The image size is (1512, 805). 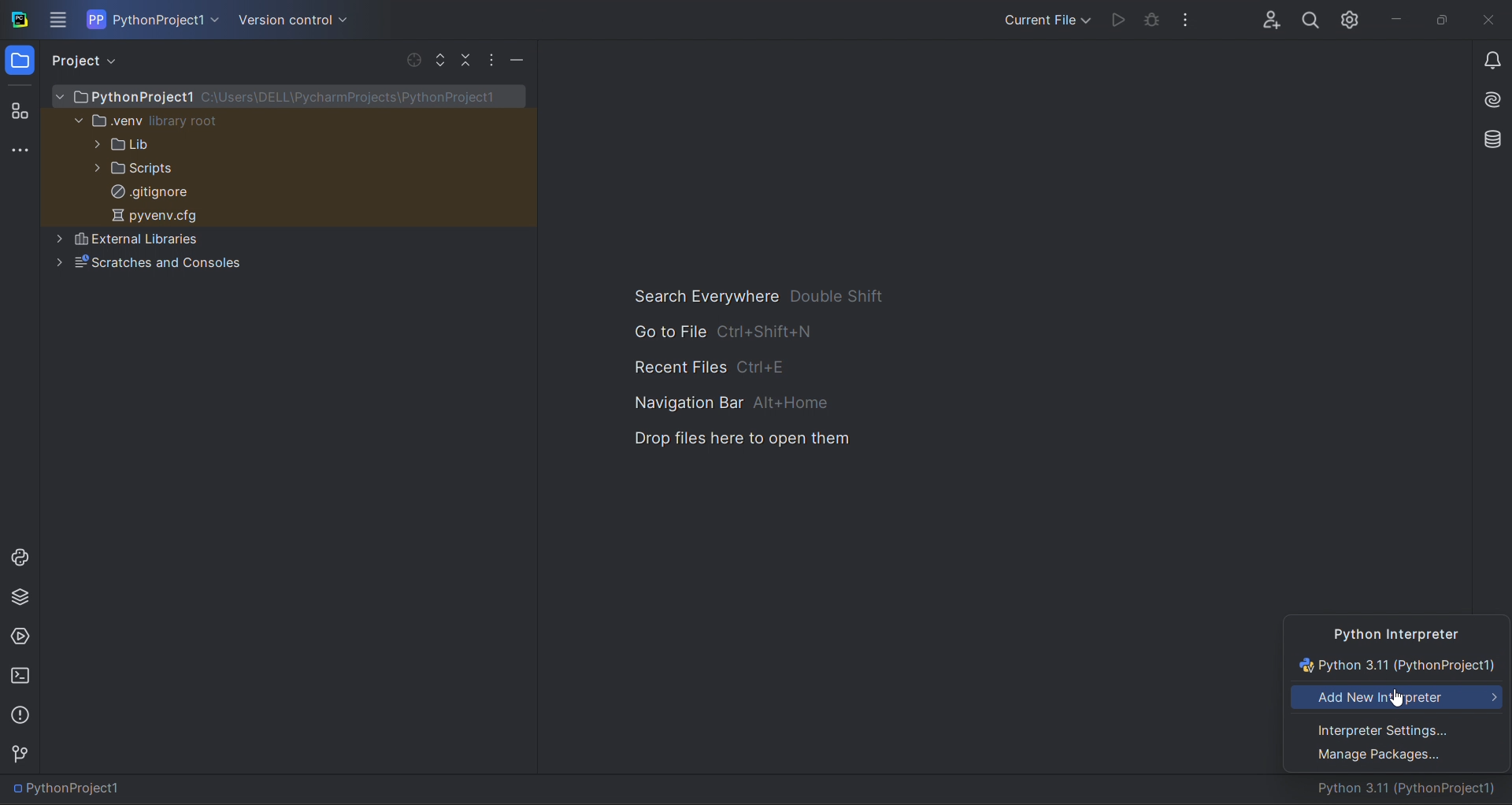 What do you see at coordinates (1488, 138) in the screenshot?
I see `database` at bounding box center [1488, 138].